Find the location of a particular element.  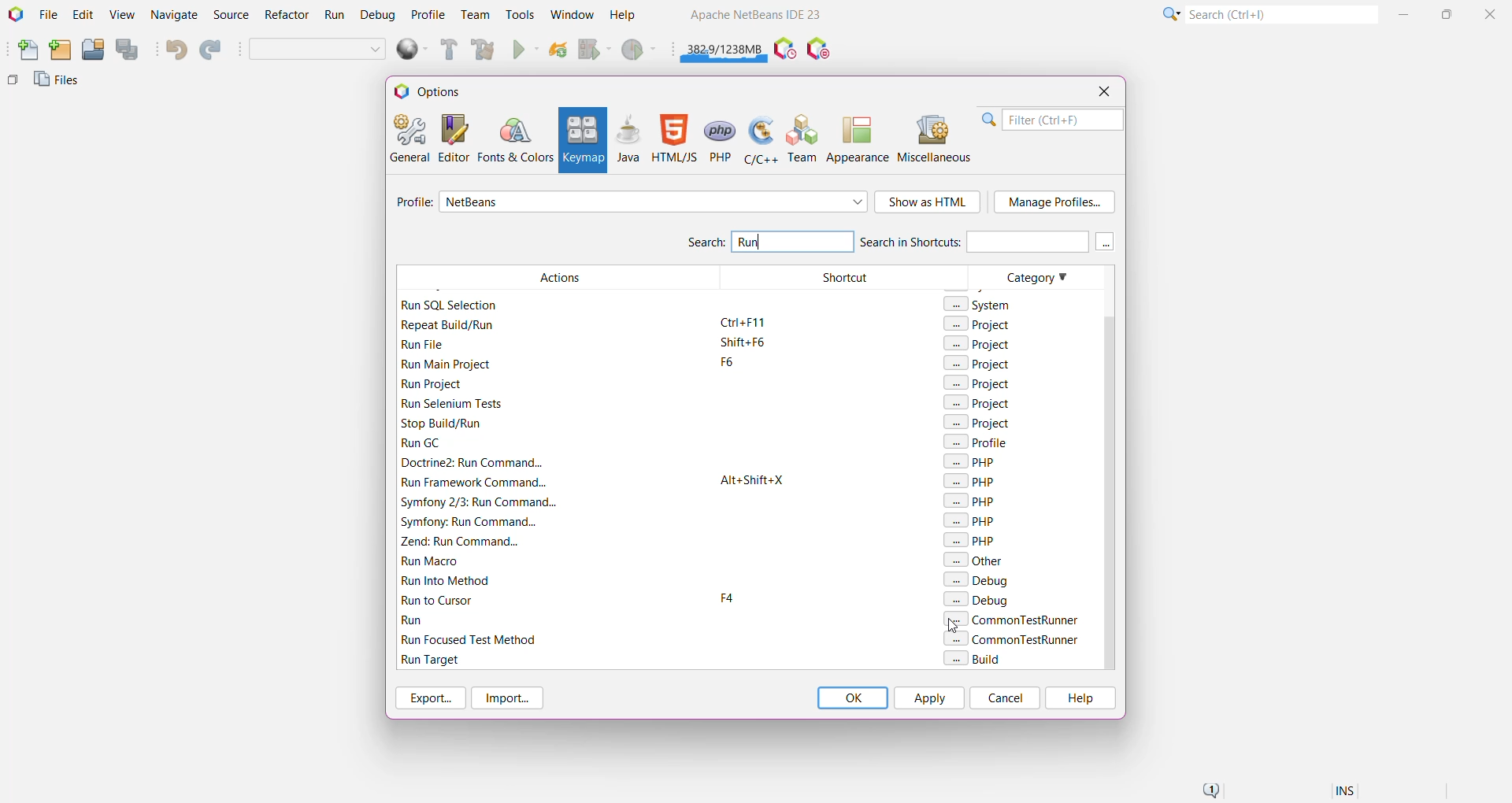

Notifications is located at coordinates (1210, 791).